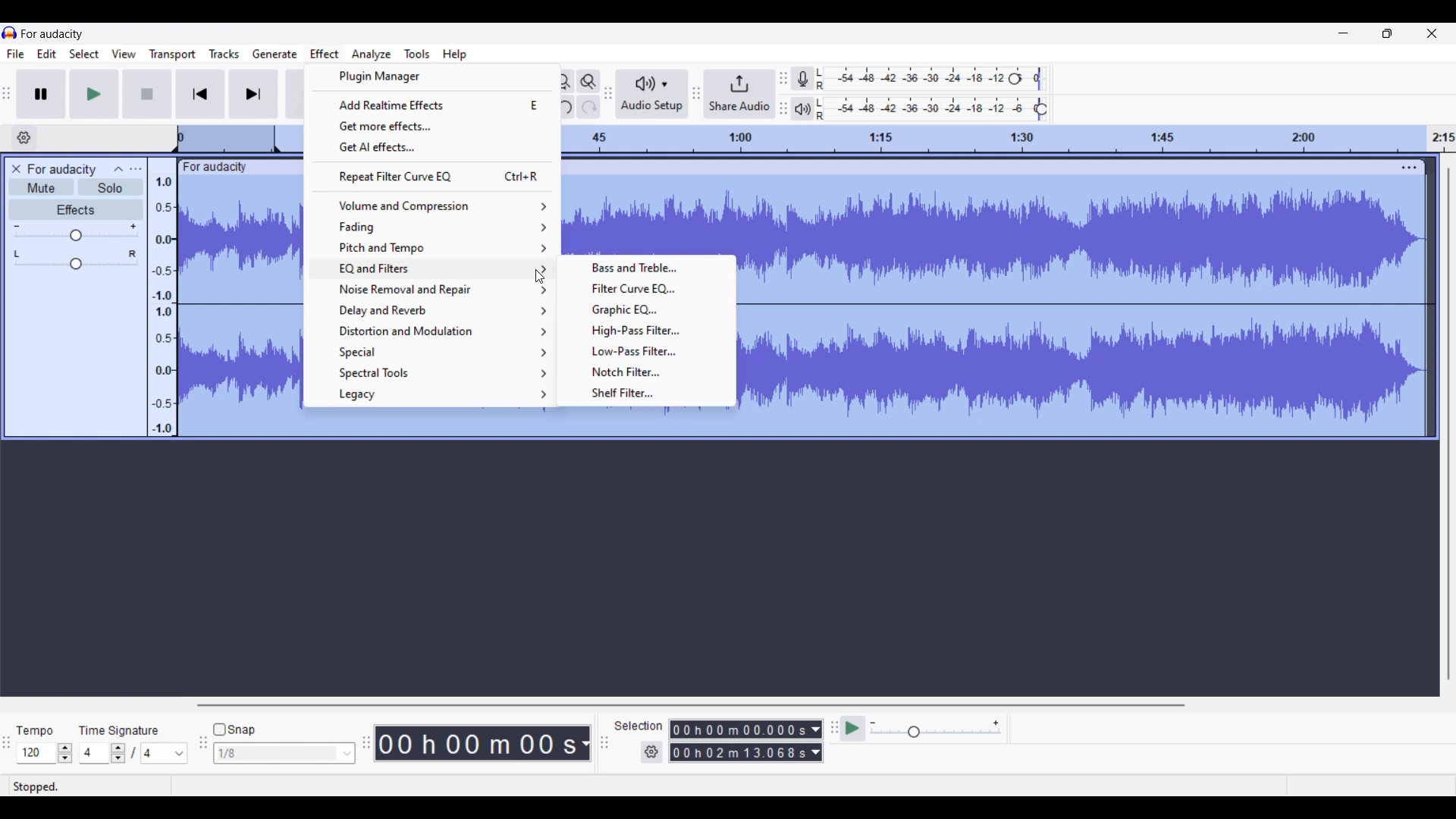 The width and height of the screenshot is (1456, 819). I want to click on Min. gain, so click(17, 226).